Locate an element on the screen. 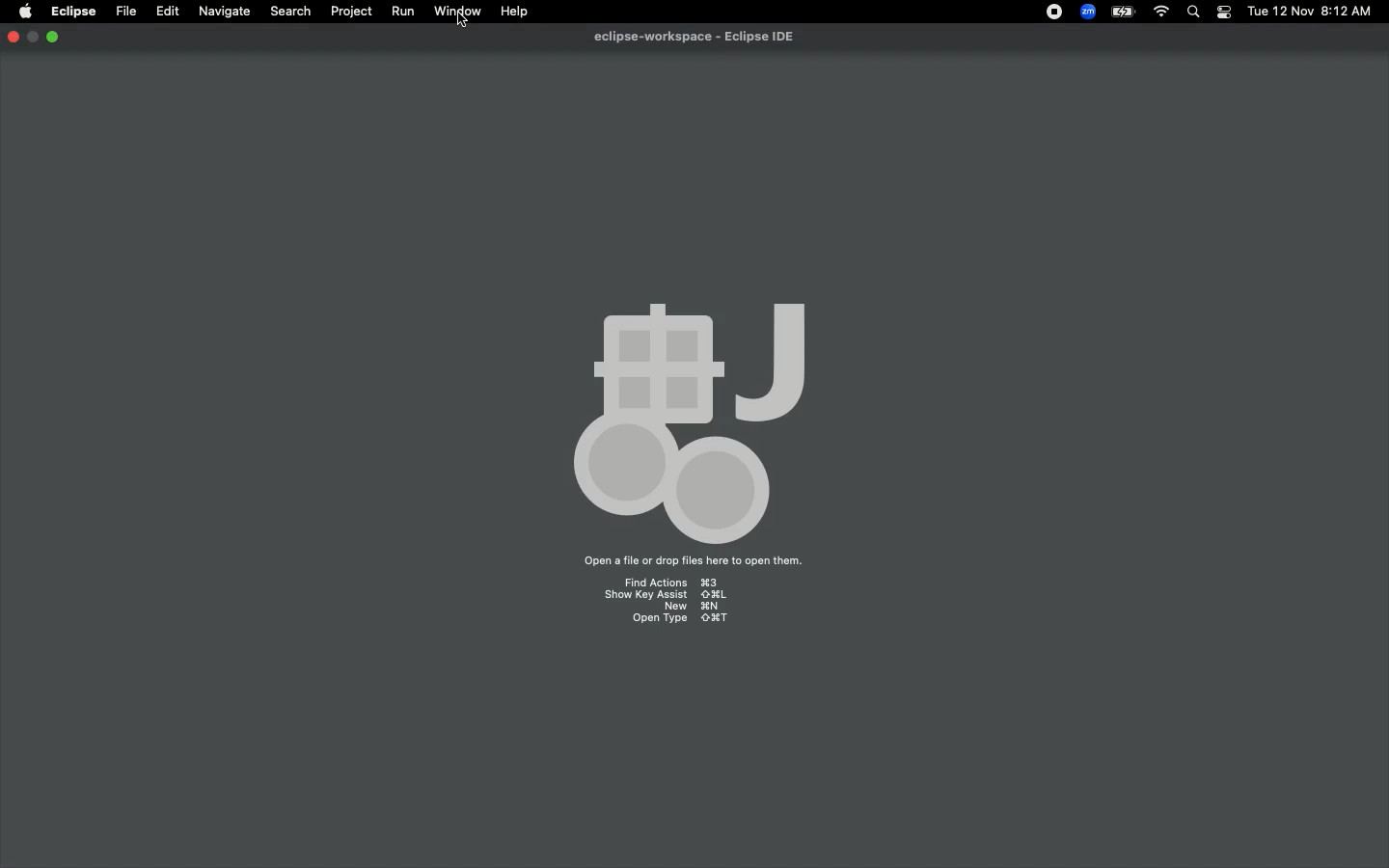  Run is located at coordinates (399, 11).